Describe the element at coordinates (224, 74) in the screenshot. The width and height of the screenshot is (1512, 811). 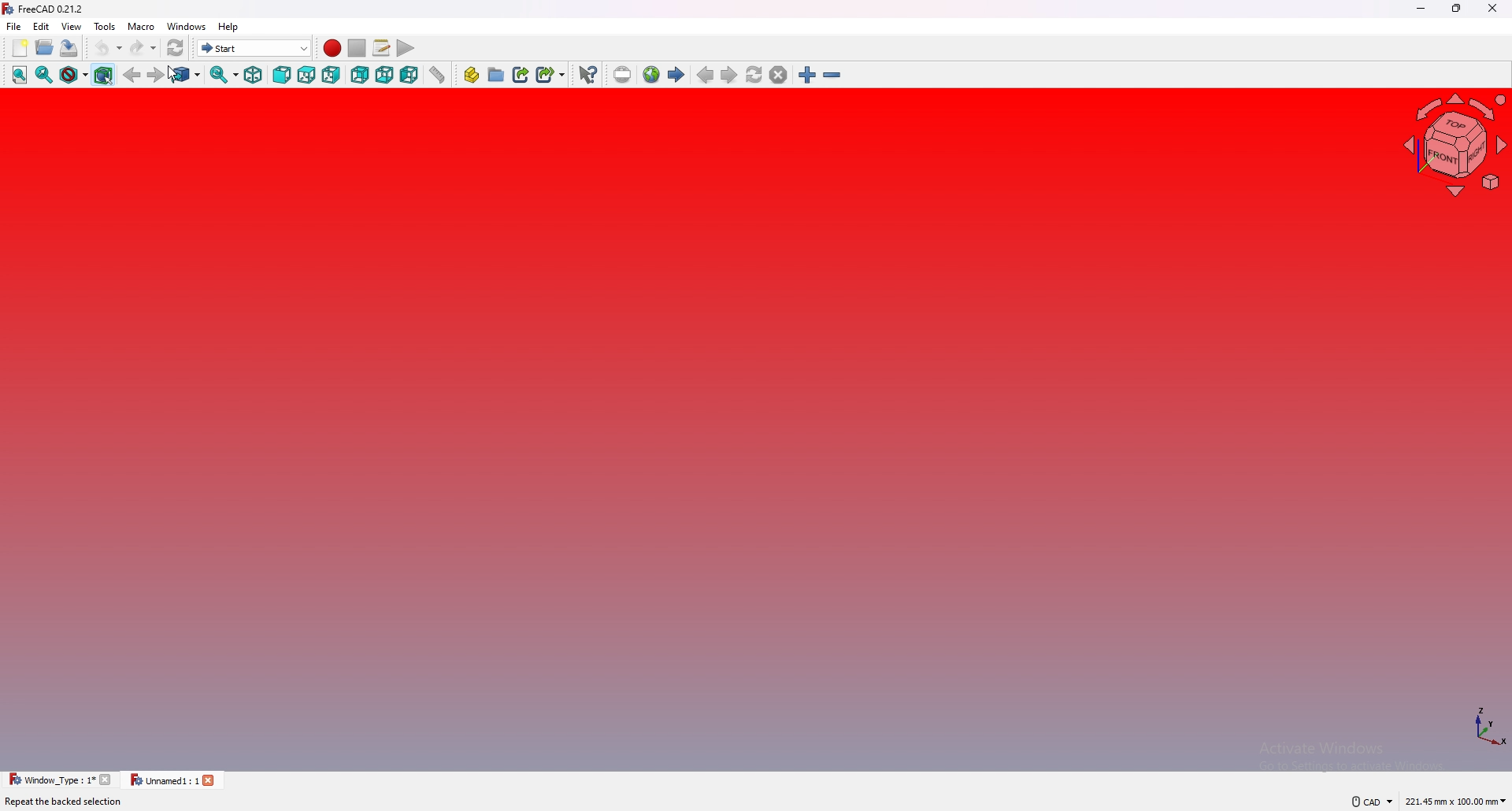
I see `synced view` at that location.